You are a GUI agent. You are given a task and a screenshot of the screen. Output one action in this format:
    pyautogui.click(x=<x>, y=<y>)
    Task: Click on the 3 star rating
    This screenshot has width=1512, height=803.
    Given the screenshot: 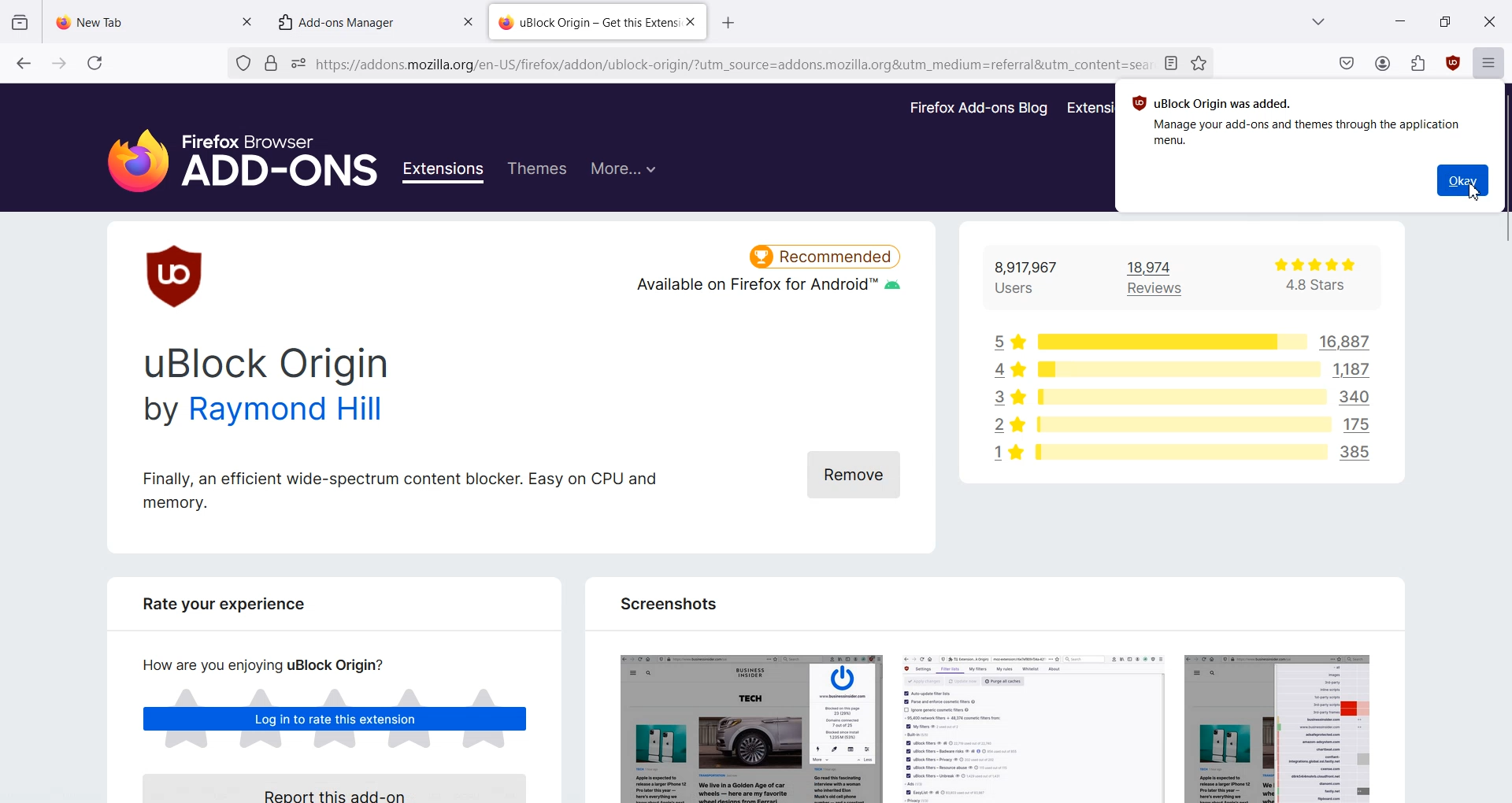 What is the action you would take?
    pyautogui.click(x=1003, y=398)
    